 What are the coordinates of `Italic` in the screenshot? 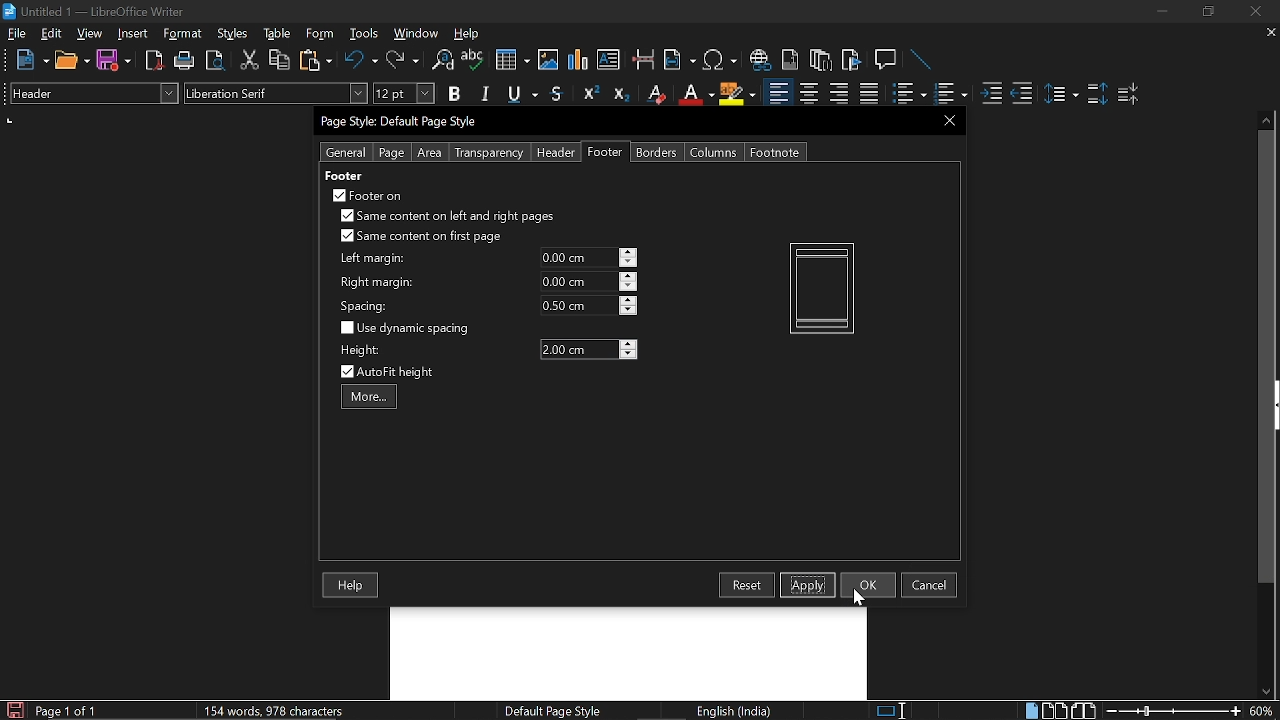 It's located at (486, 94).